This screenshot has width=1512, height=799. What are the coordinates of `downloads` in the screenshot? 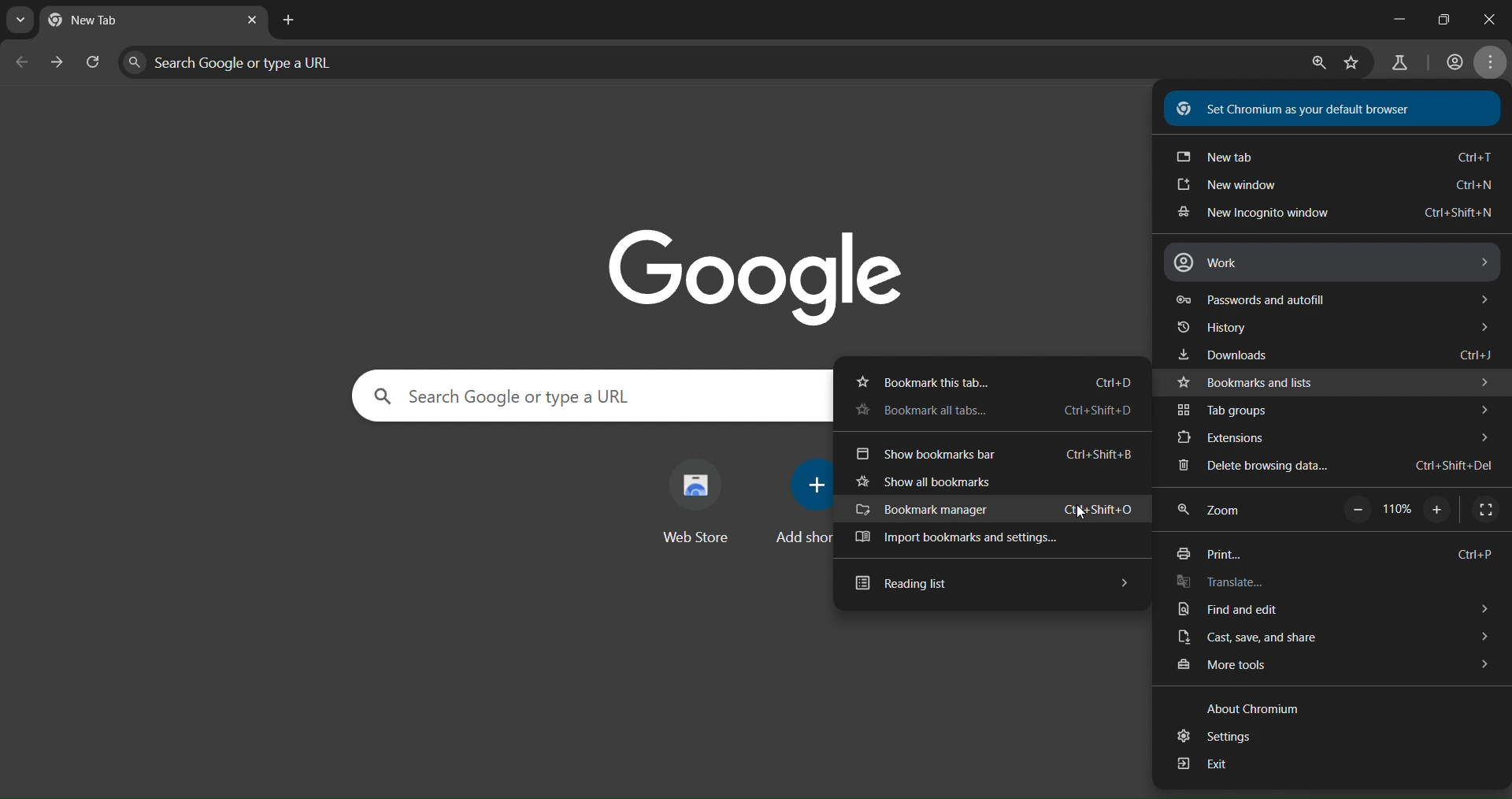 It's located at (1336, 353).